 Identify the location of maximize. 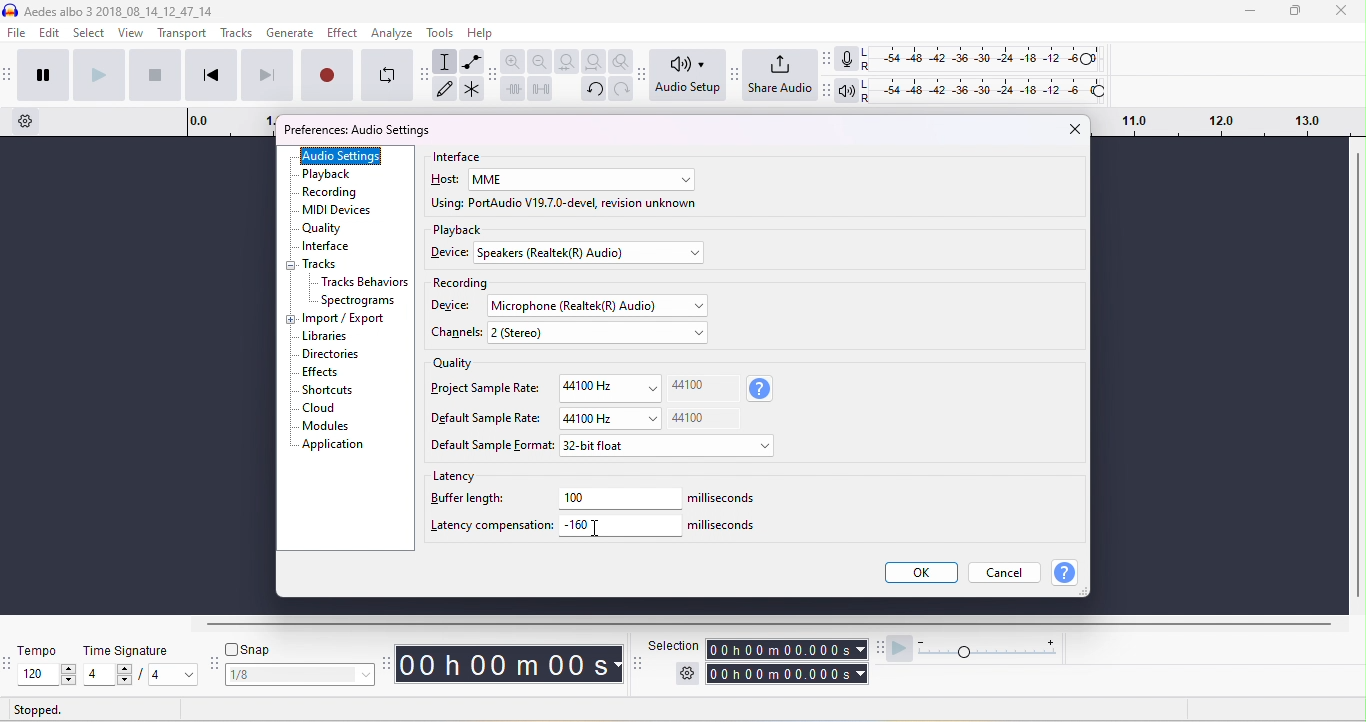
(1294, 11).